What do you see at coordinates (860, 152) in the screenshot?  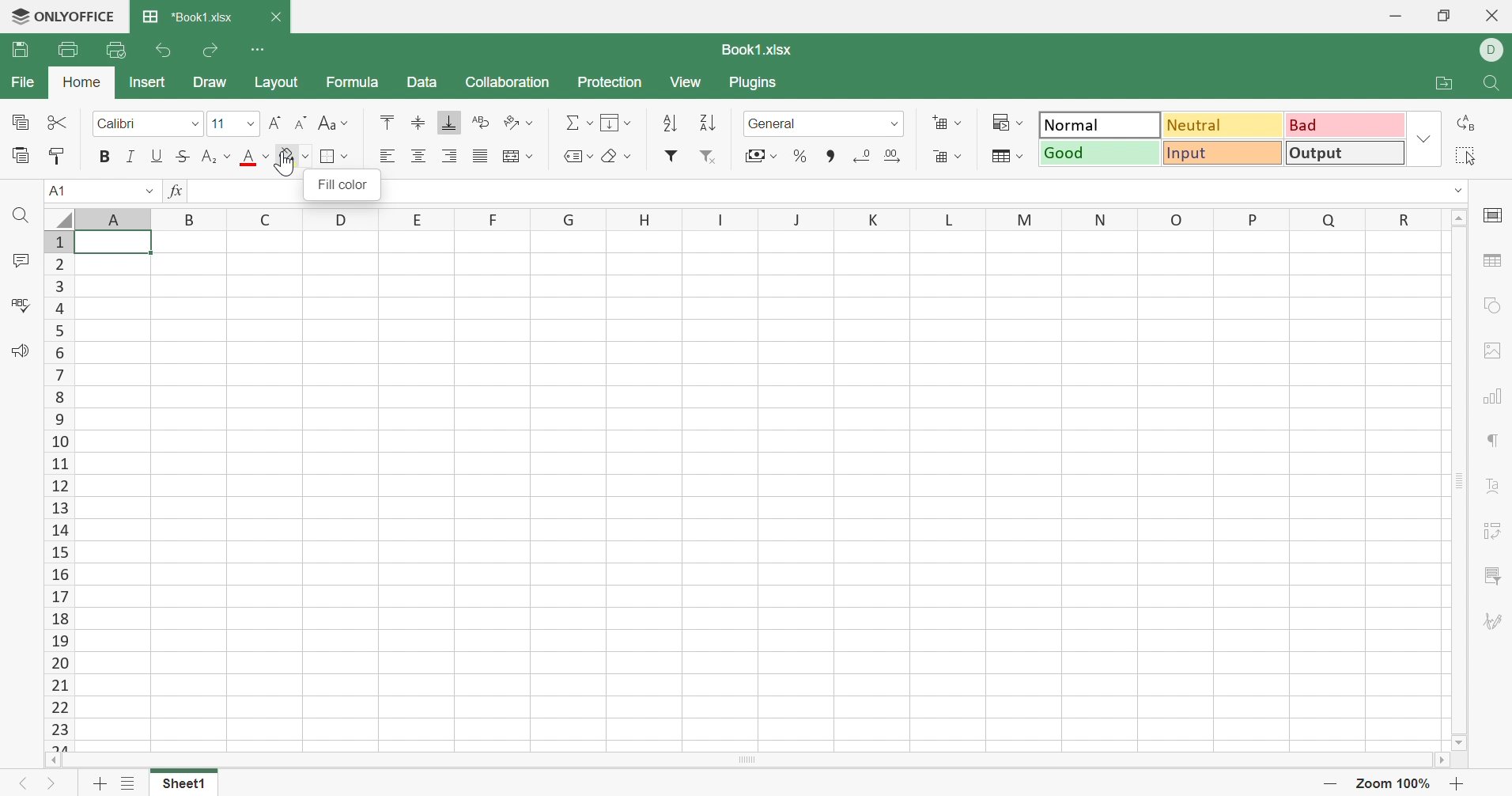 I see `Decrease decimal` at bounding box center [860, 152].